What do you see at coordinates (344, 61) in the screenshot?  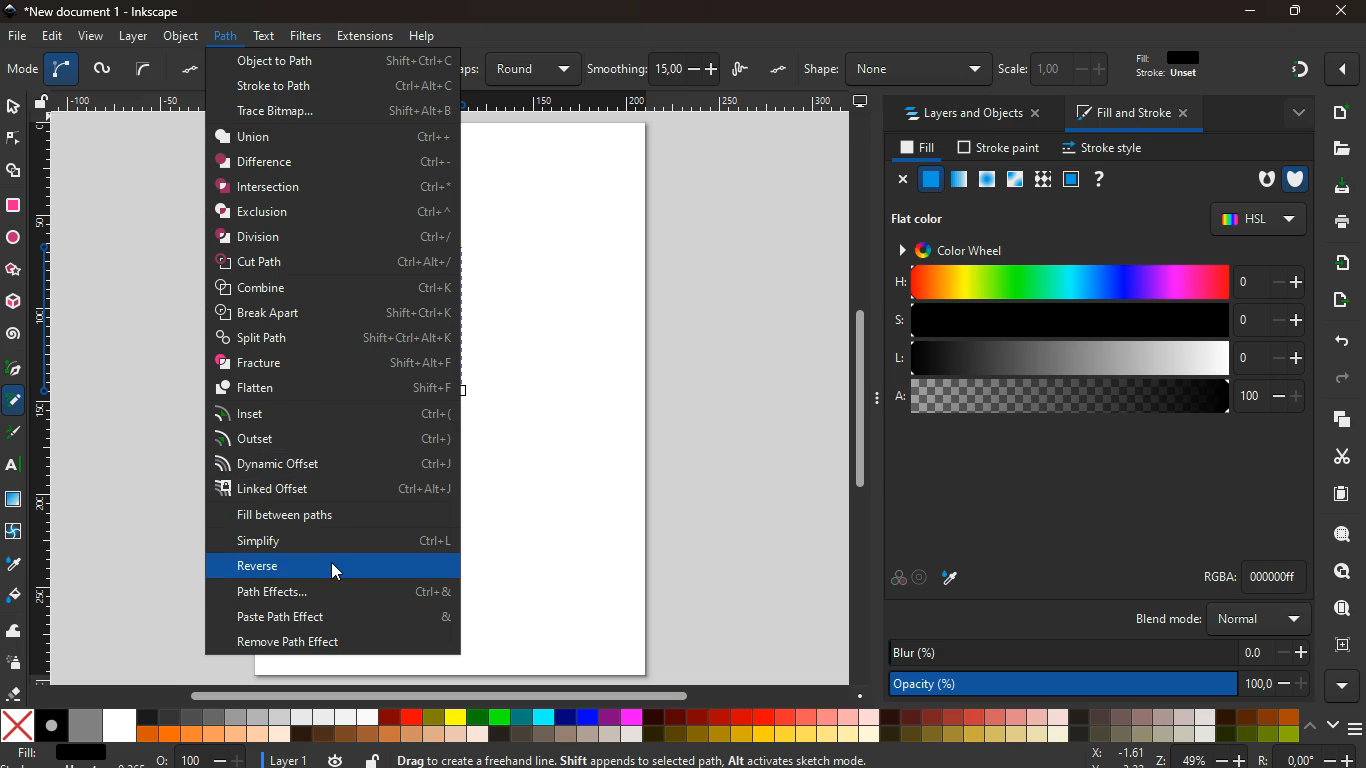 I see `object to path` at bounding box center [344, 61].